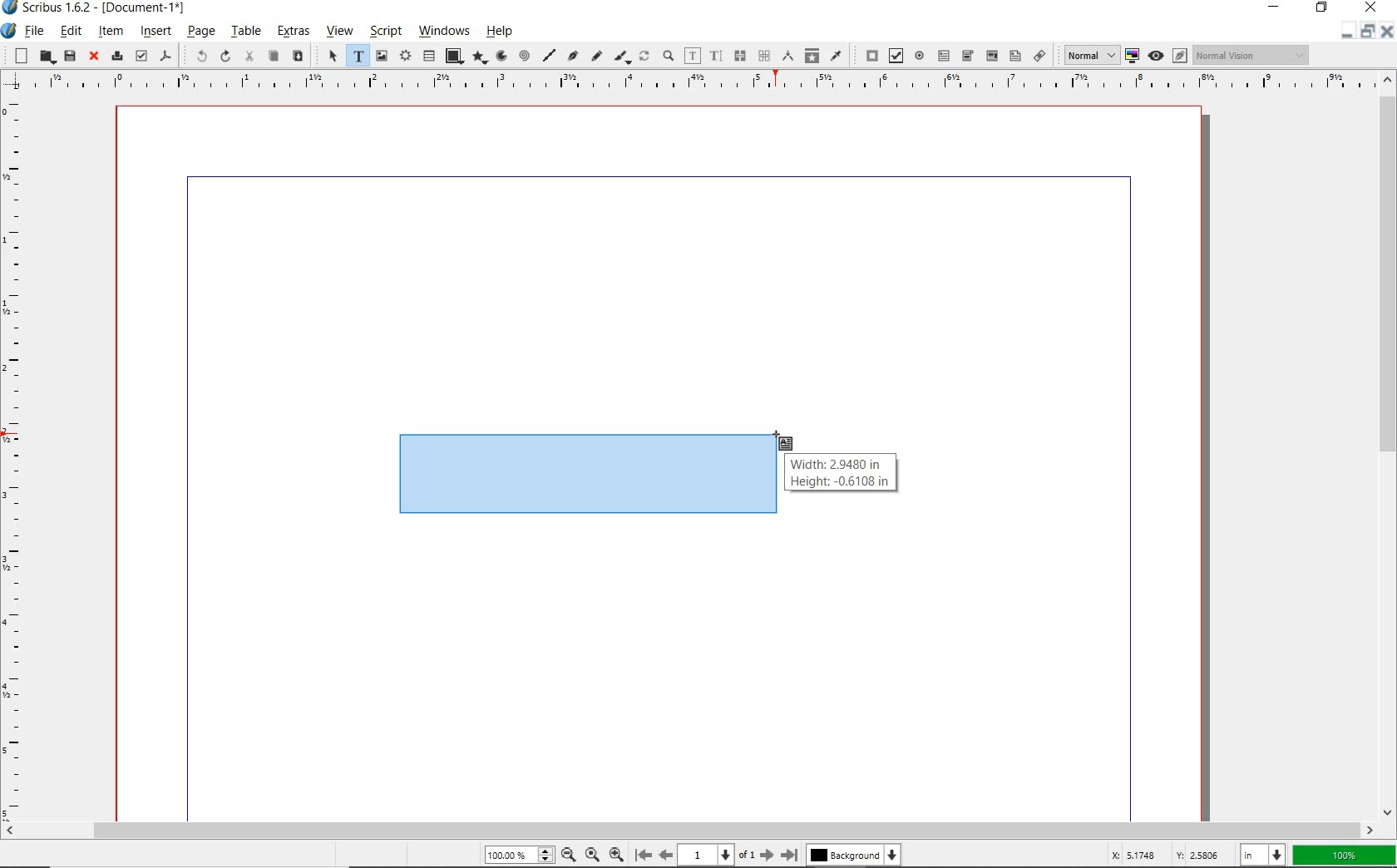 The image size is (1397, 868). Describe the element at coordinates (787, 855) in the screenshot. I see `Last page` at that location.